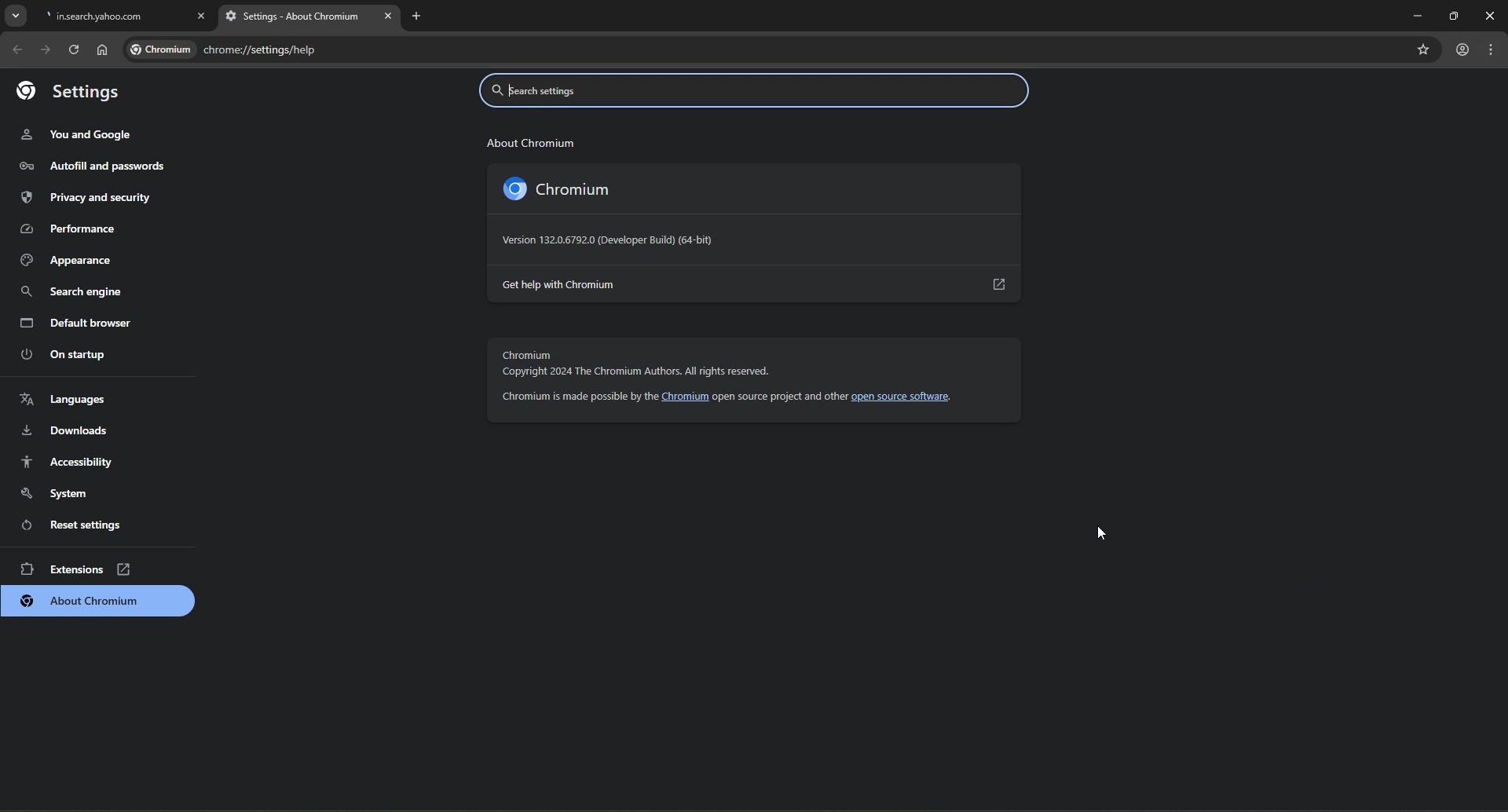 The image size is (1508, 812). Describe the element at coordinates (81, 397) in the screenshot. I see `Languages` at that location.